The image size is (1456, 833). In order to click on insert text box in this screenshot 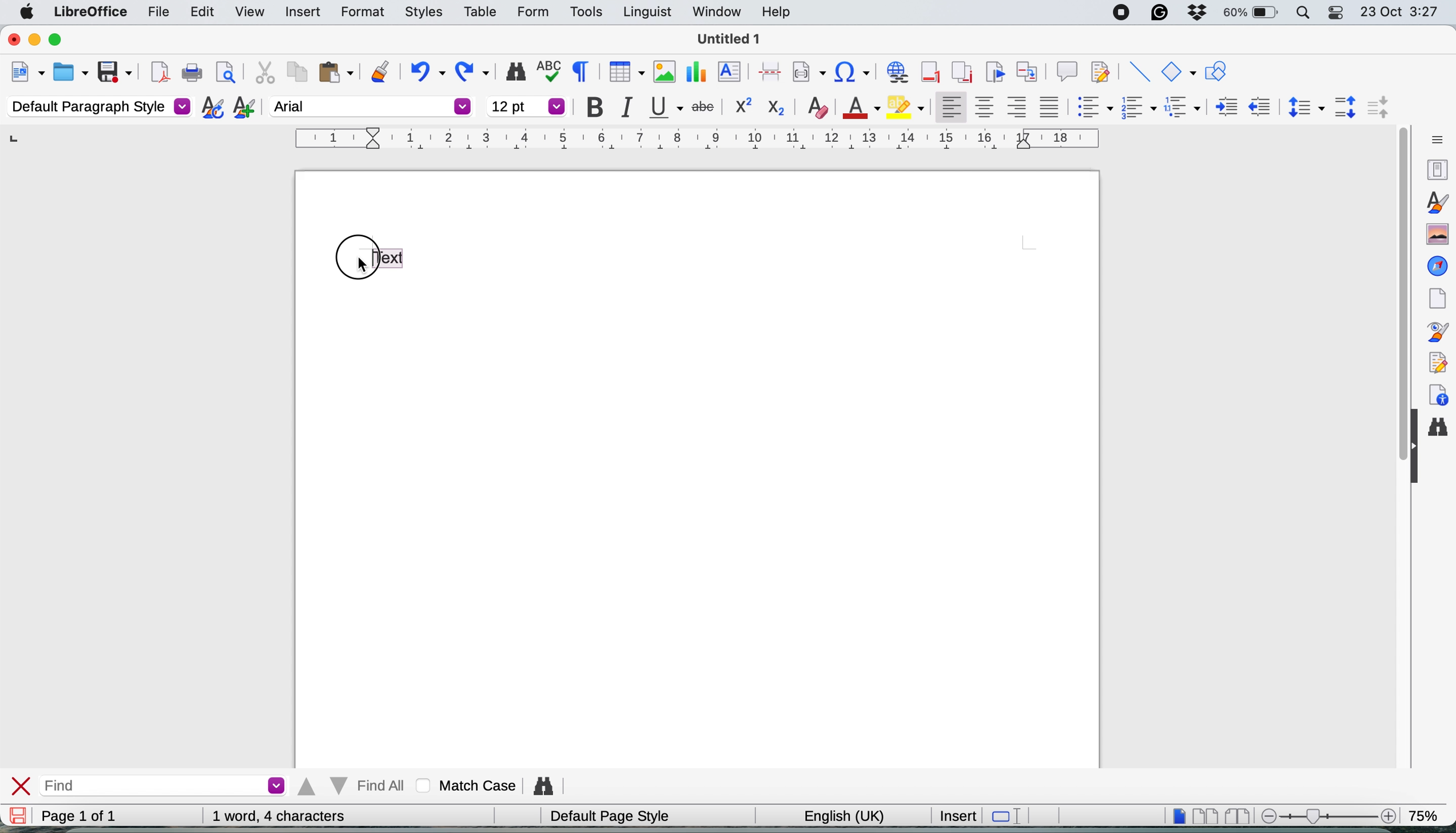, I will do `click(731, 73)`.